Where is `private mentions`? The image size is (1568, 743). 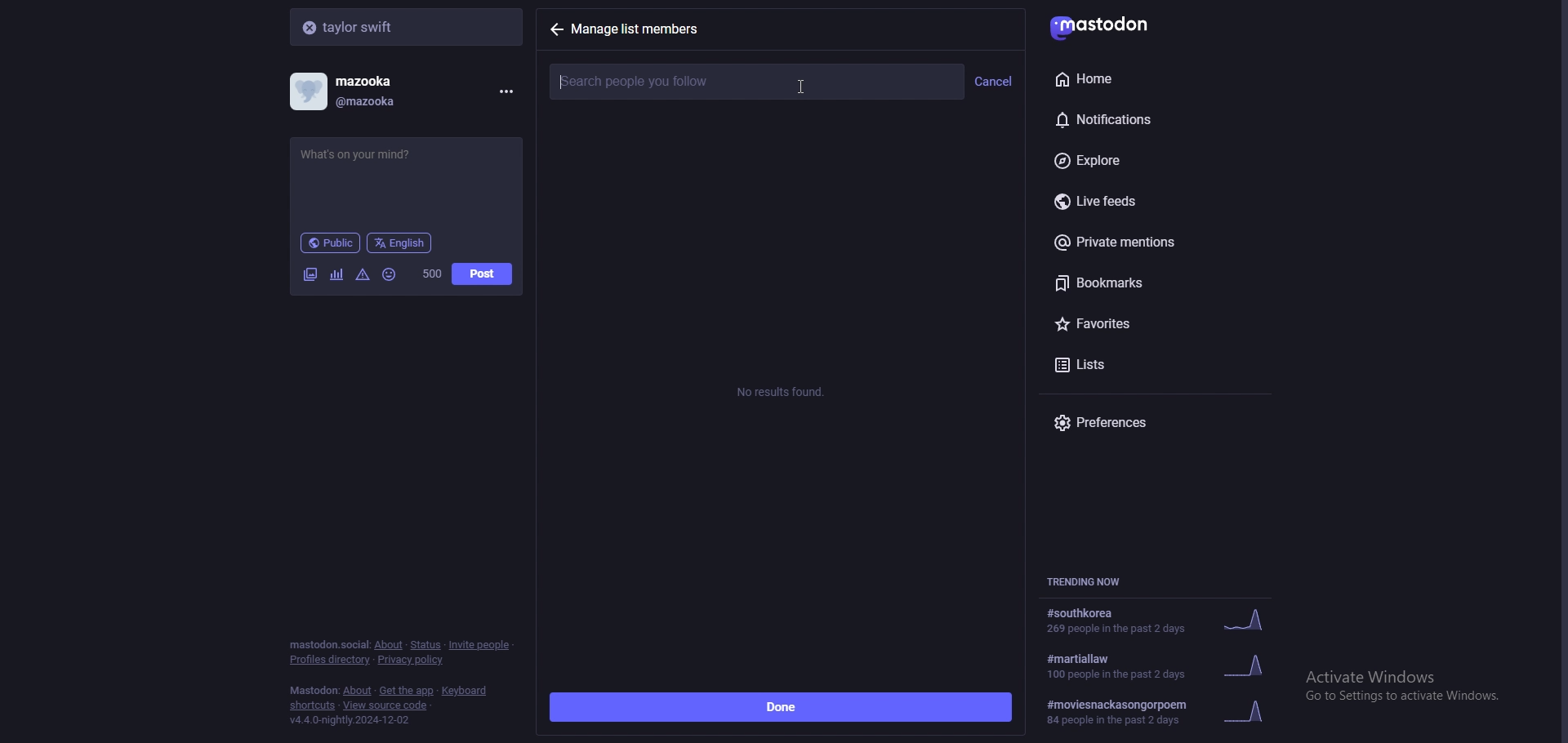 private mentions is located at coordinates (1153, 242).